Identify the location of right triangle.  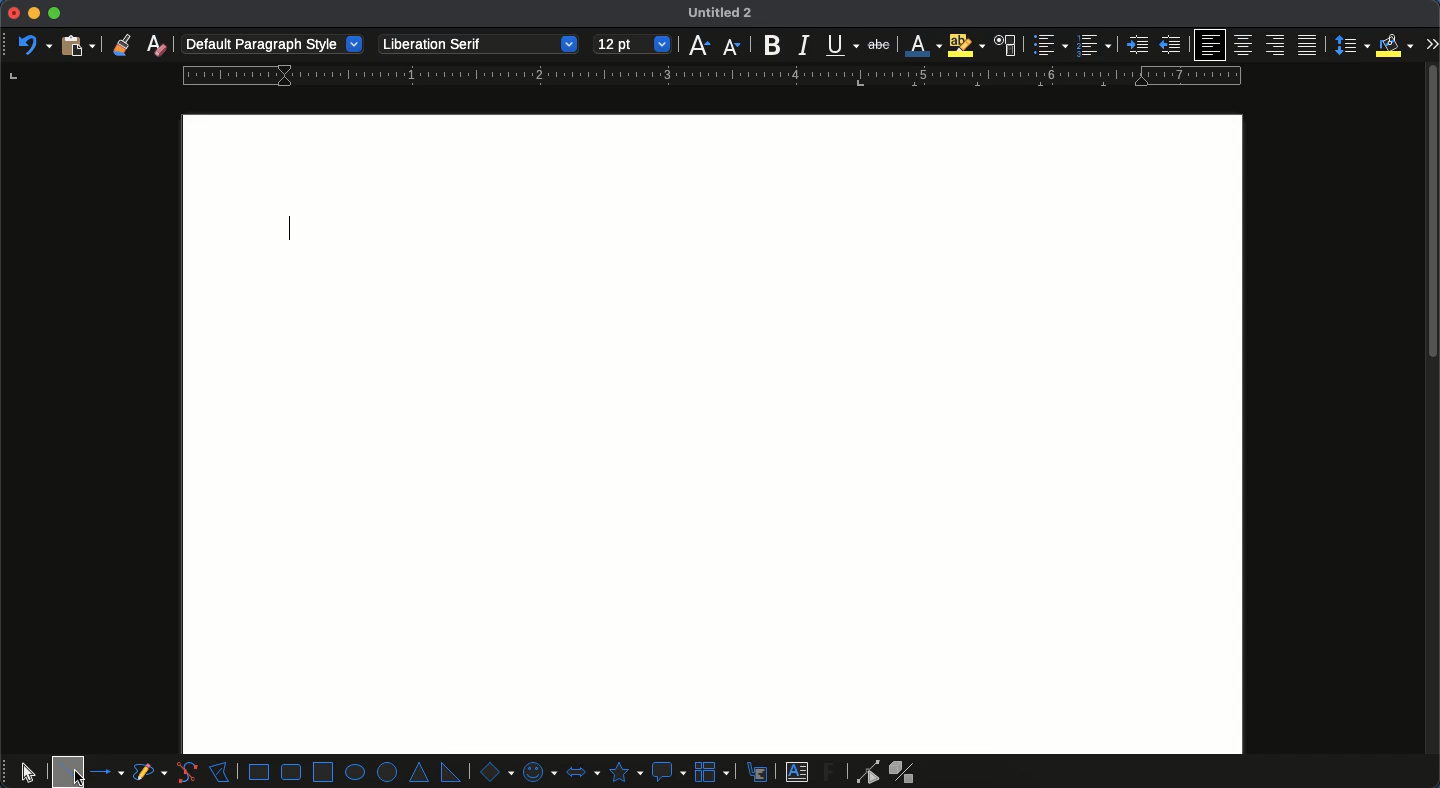
(450, 771).